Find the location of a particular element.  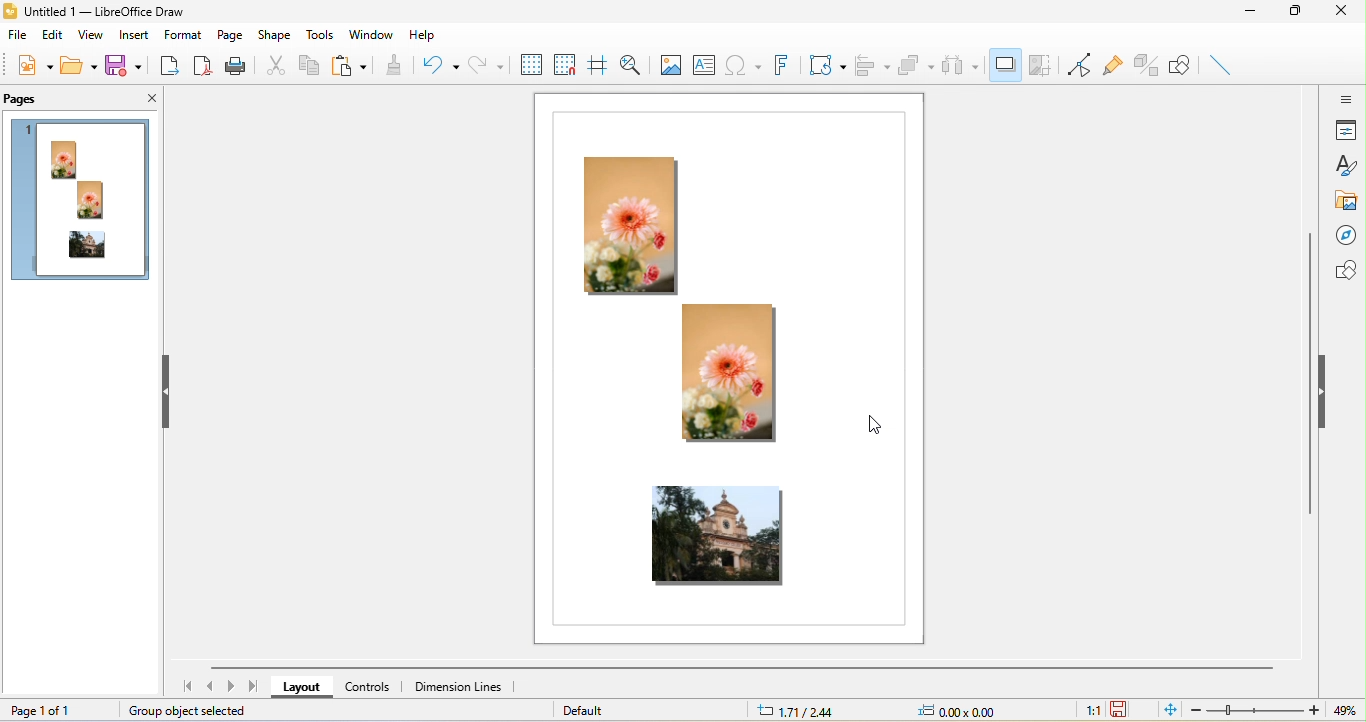

hide is located at coordinates (1328, 391).